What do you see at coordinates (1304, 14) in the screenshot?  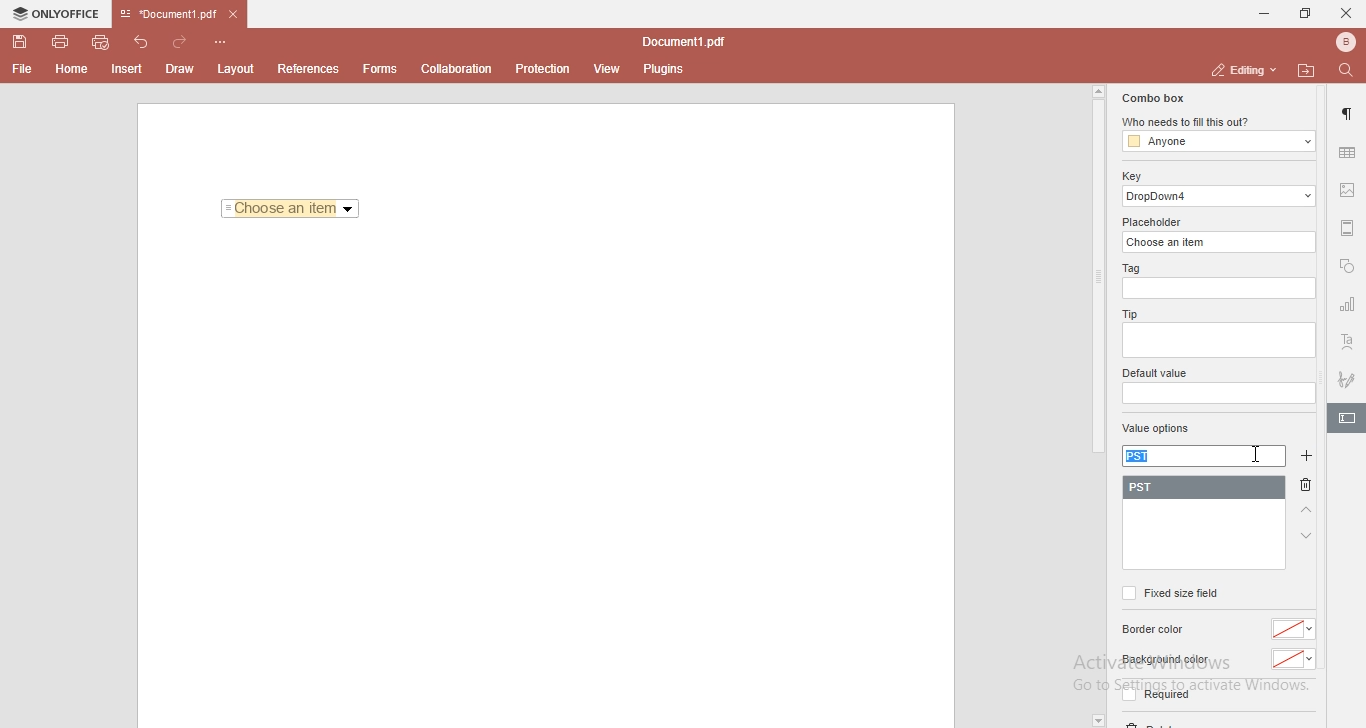 I see `restore` at bounding box center [1304, 14].